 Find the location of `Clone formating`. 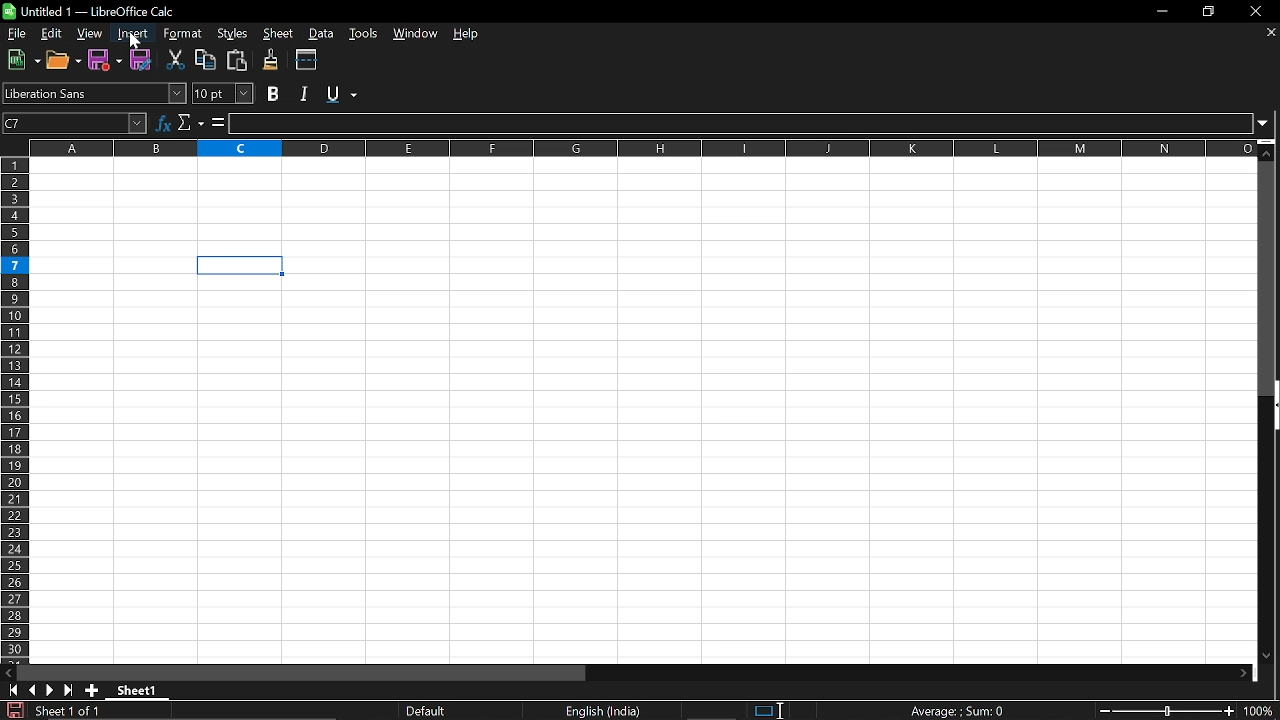

Clone formating is located at coordinates (270, 60).